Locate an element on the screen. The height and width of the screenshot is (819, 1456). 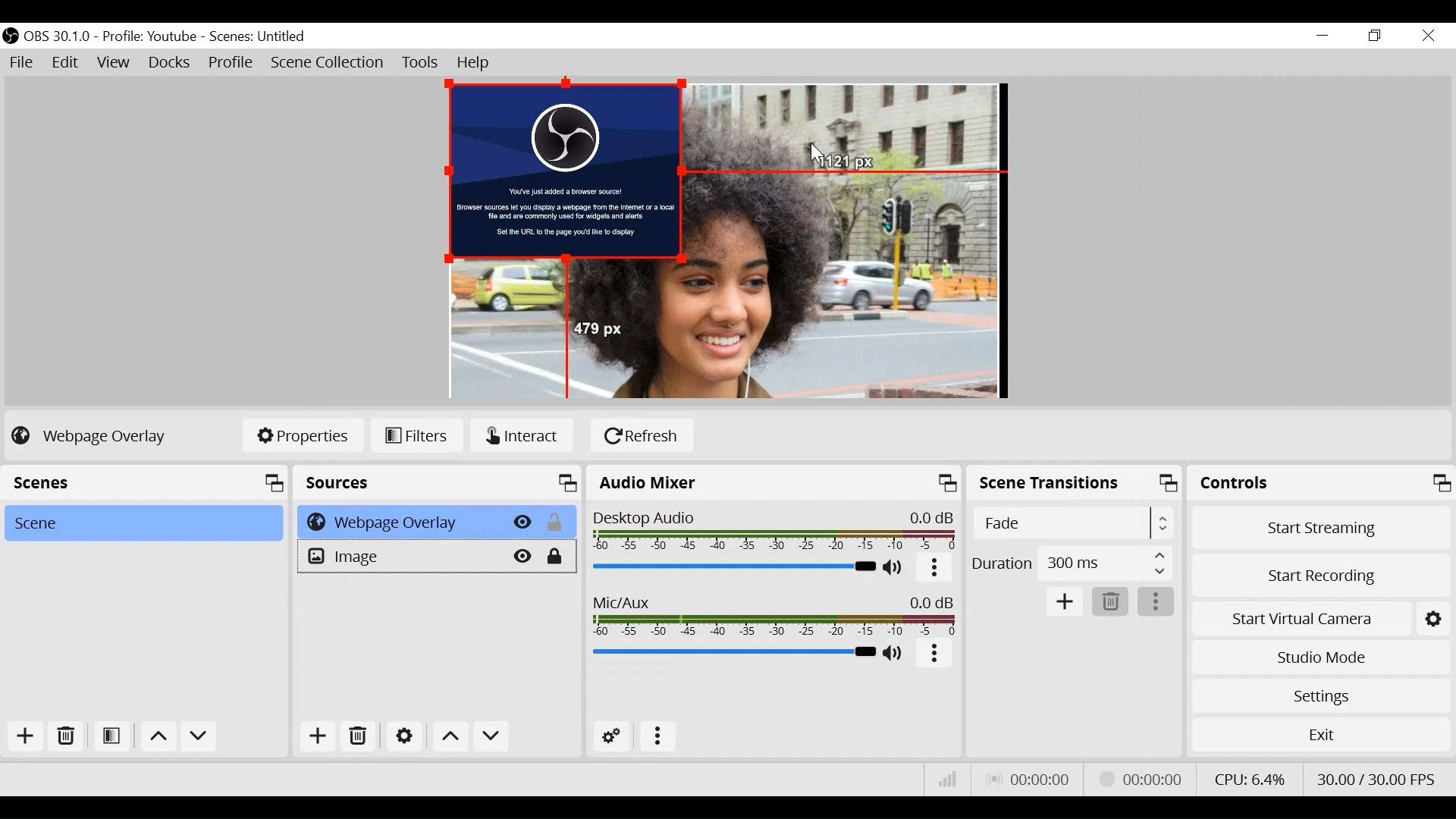
(un)mute is located at coordinates (894, 569).